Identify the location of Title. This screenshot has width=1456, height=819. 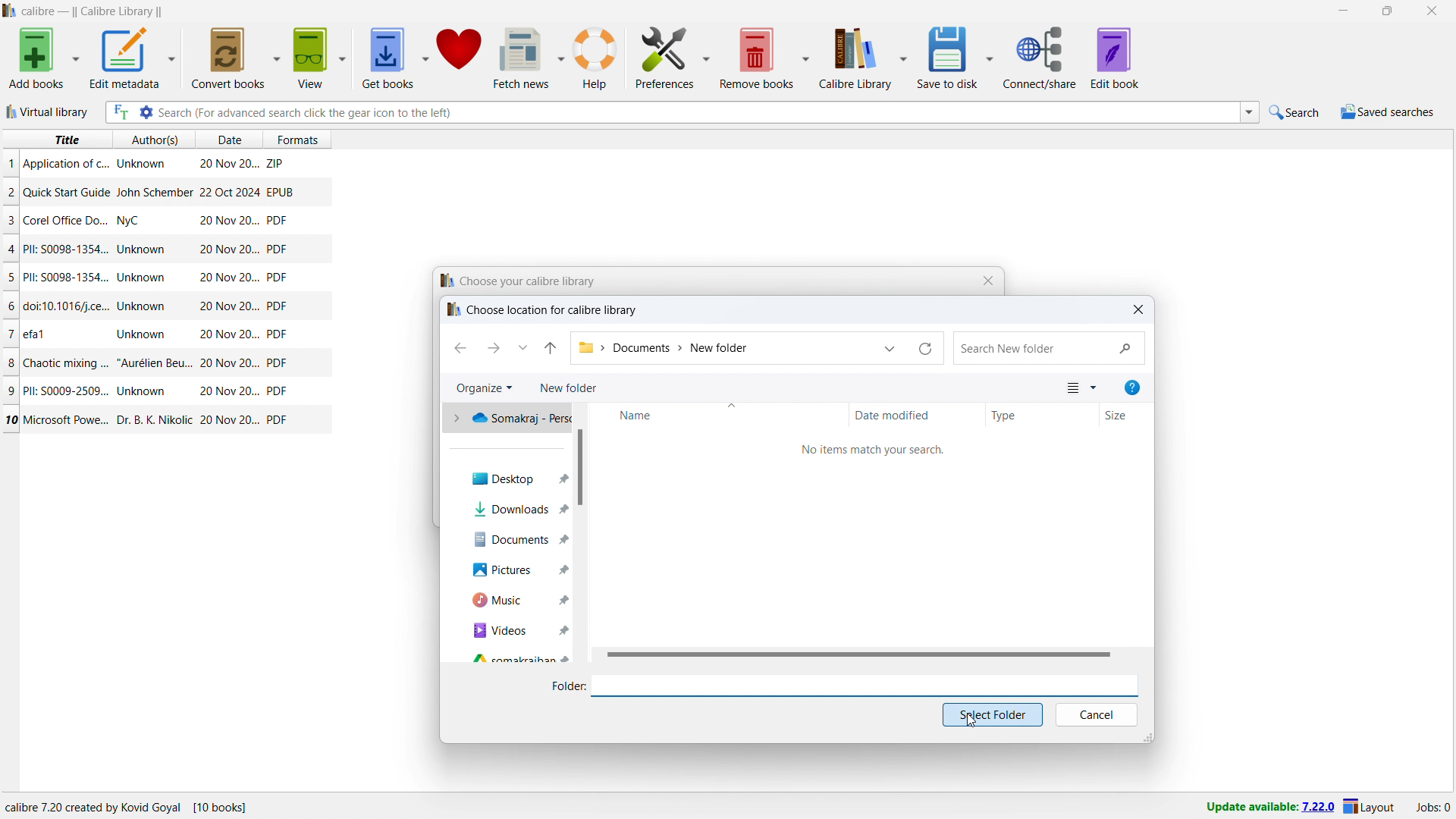
(70, 420).